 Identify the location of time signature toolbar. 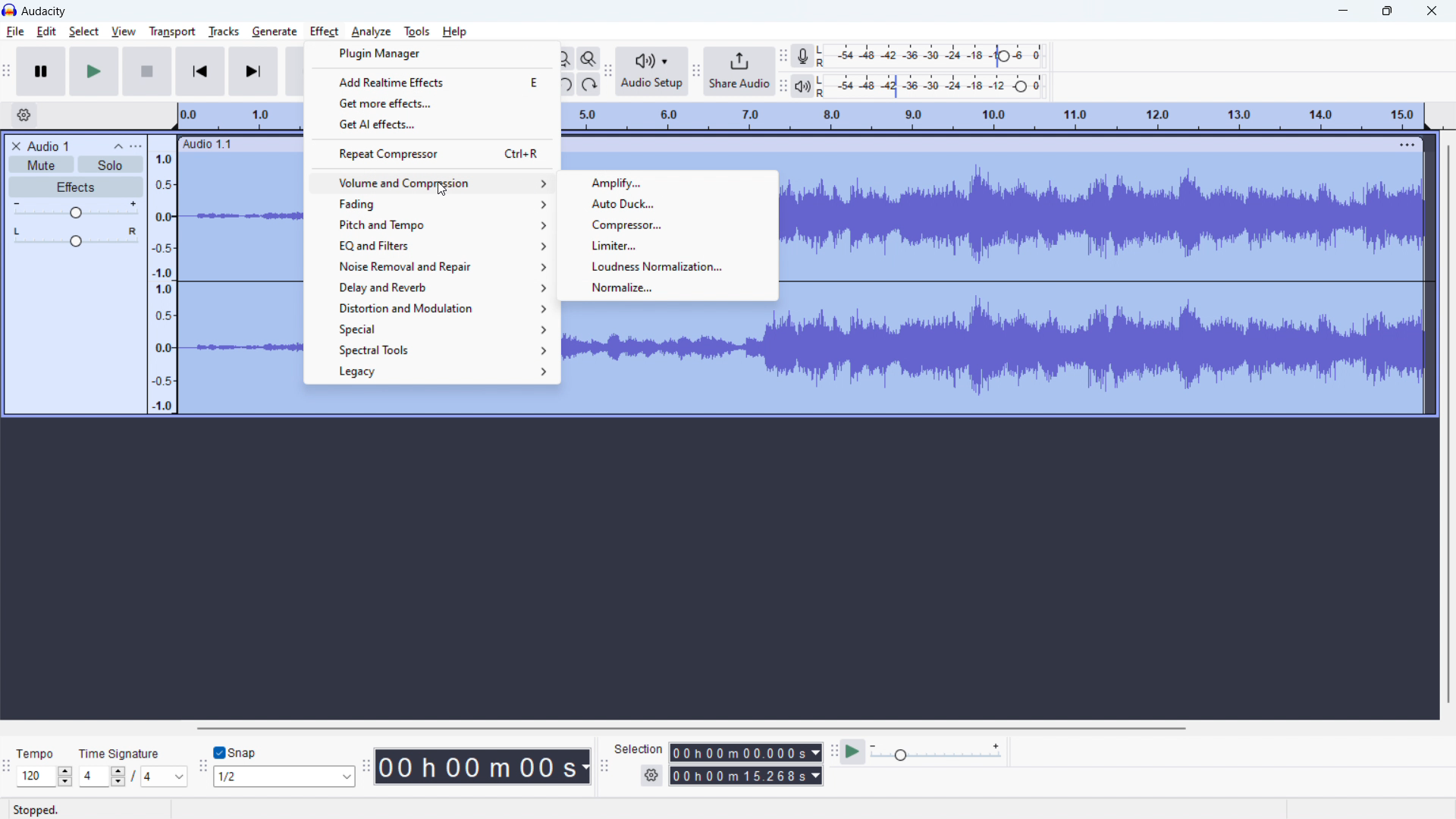
(8, 769).